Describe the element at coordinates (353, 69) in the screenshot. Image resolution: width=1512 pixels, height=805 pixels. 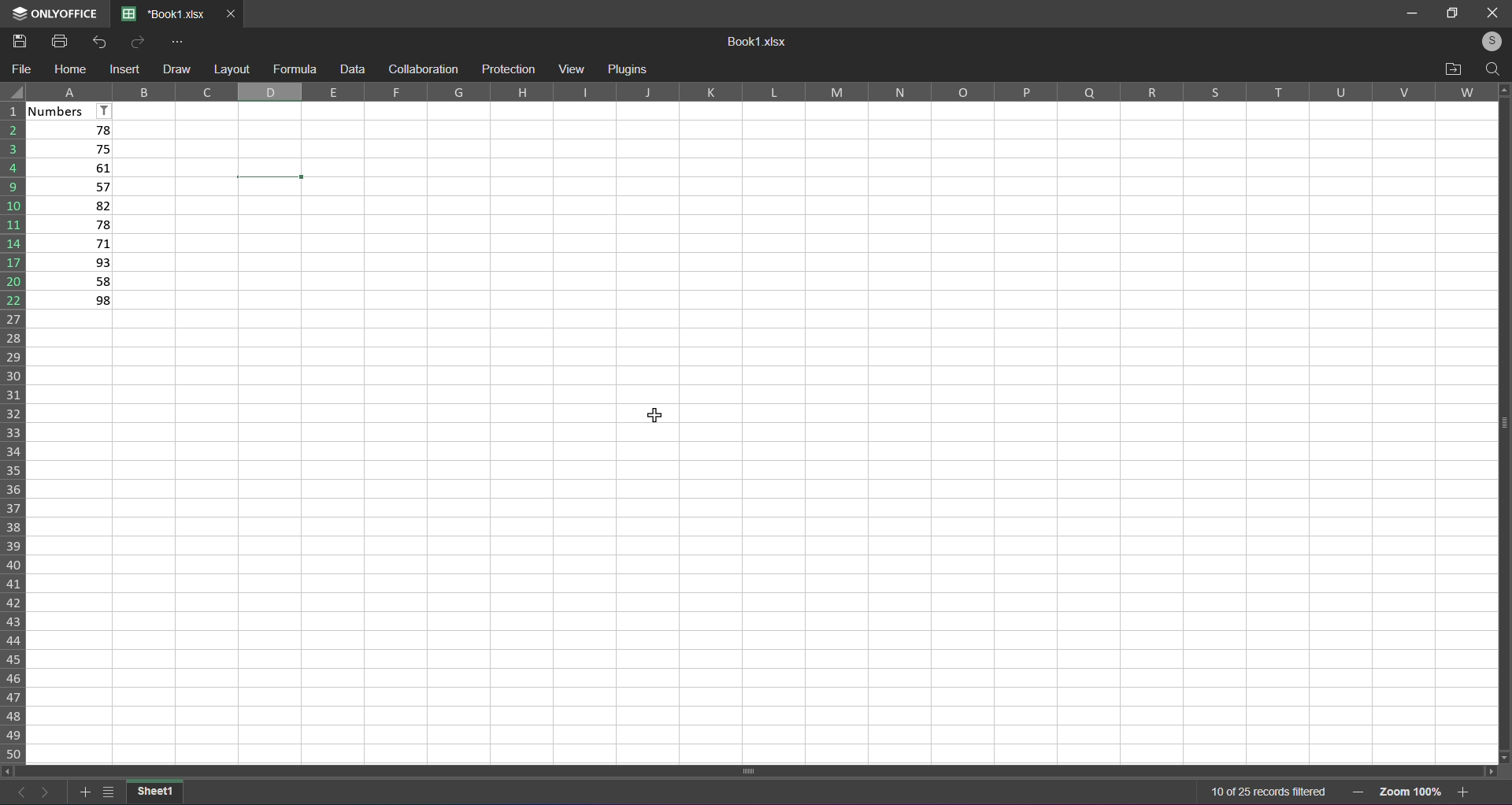
I see `data` at that location.